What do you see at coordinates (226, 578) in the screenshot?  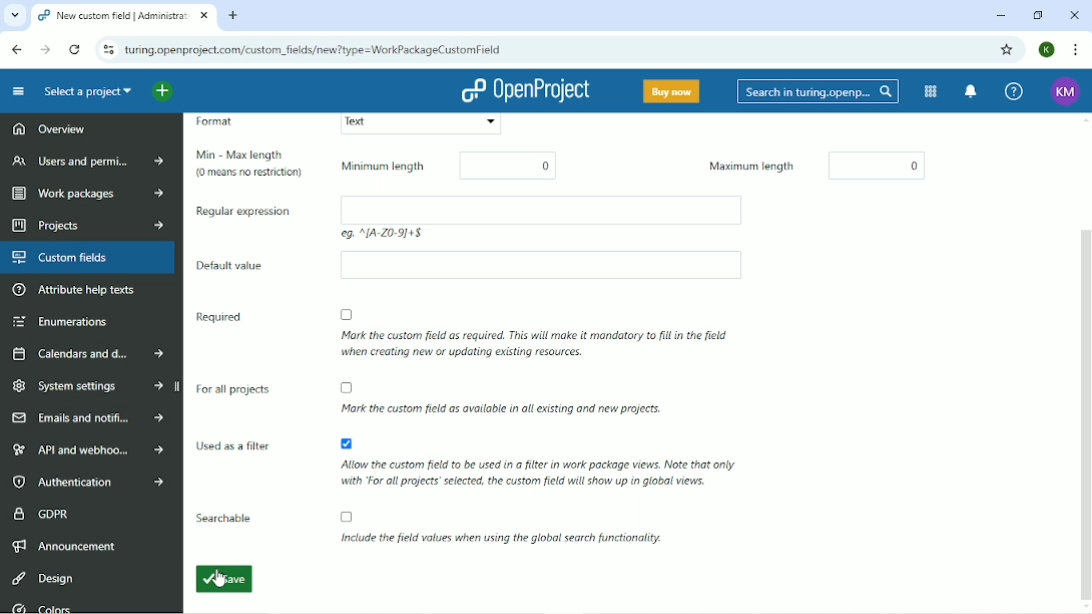 I see `Save` at bounding box center [226, 578].